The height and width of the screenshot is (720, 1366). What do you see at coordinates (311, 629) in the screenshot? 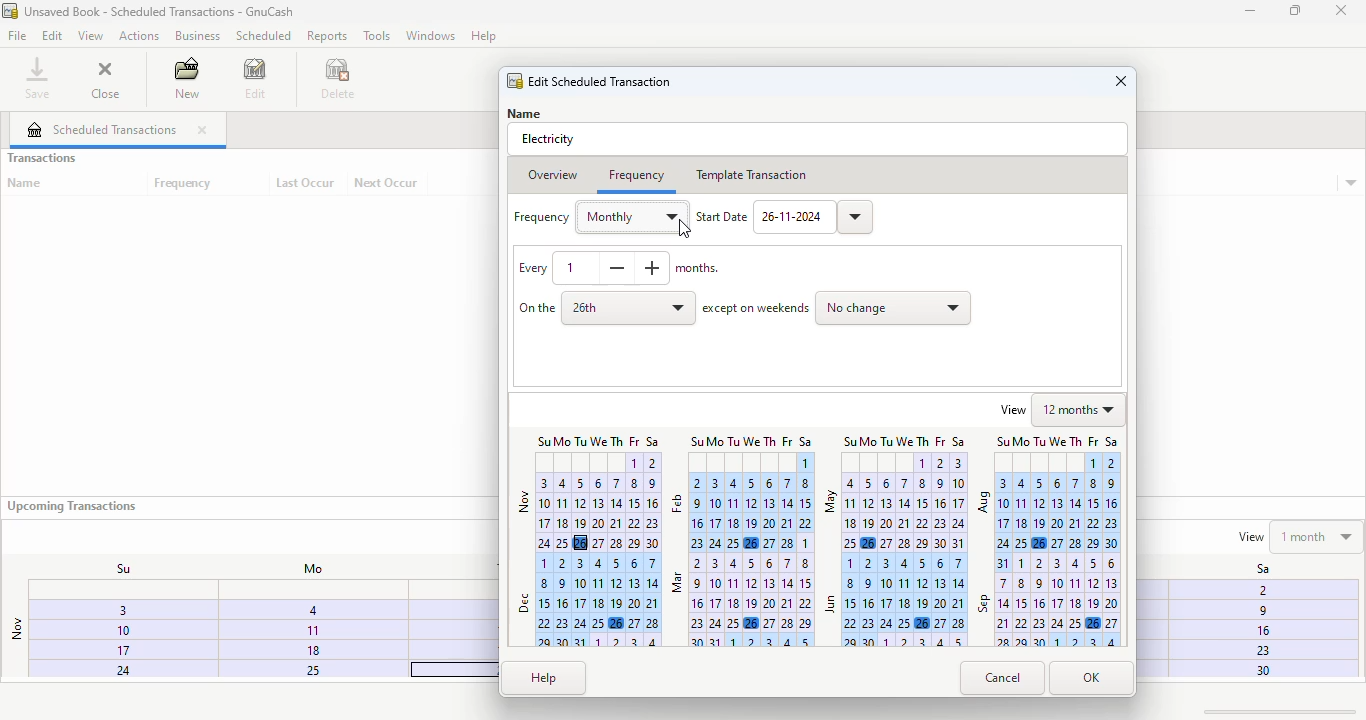
I see `1` at bounding box center [311, 629].